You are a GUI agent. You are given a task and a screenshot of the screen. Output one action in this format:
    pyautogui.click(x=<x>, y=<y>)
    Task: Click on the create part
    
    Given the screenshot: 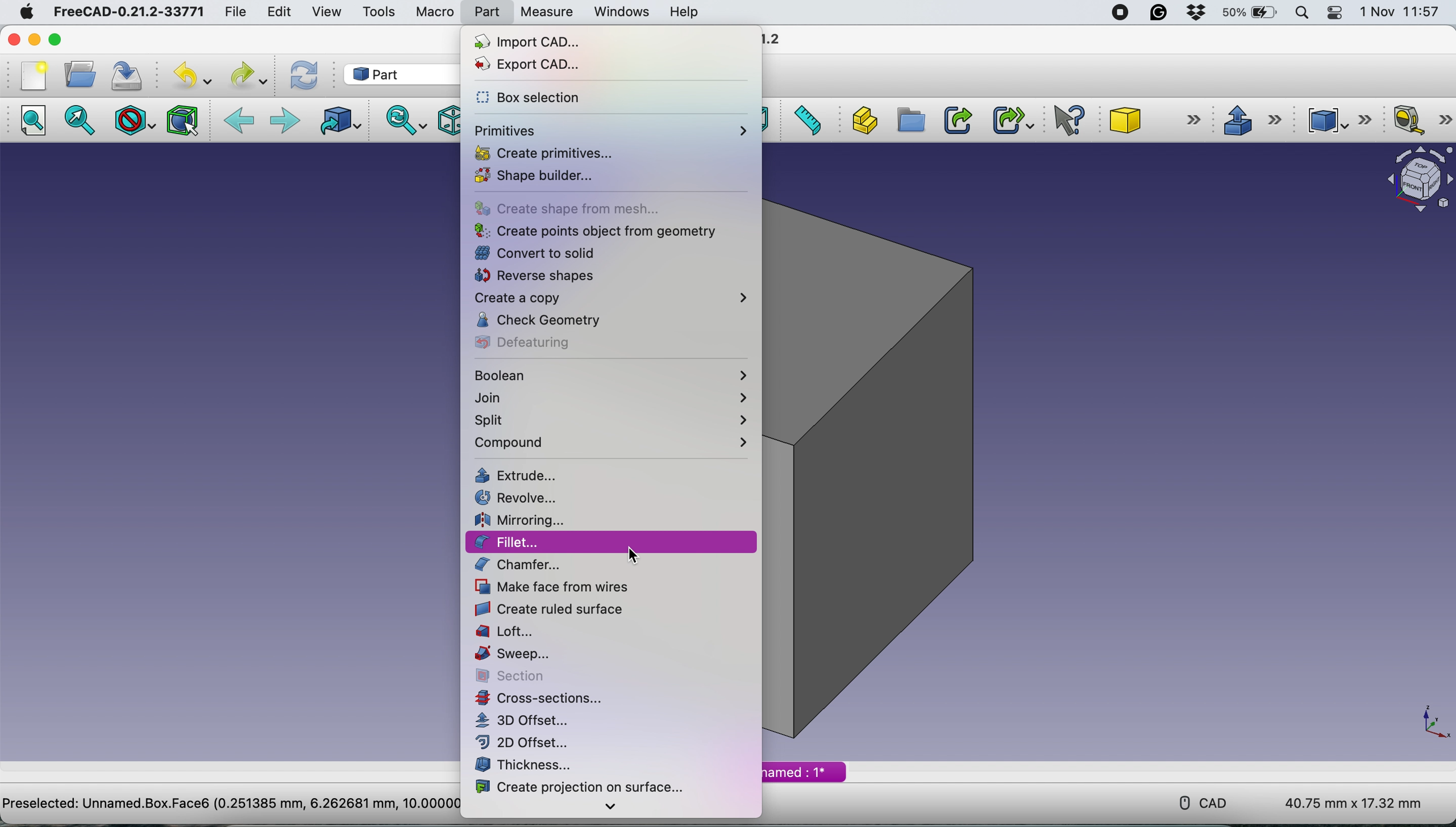 What is the action you would take?
    pyautogui.click(x=862, y=120)
    